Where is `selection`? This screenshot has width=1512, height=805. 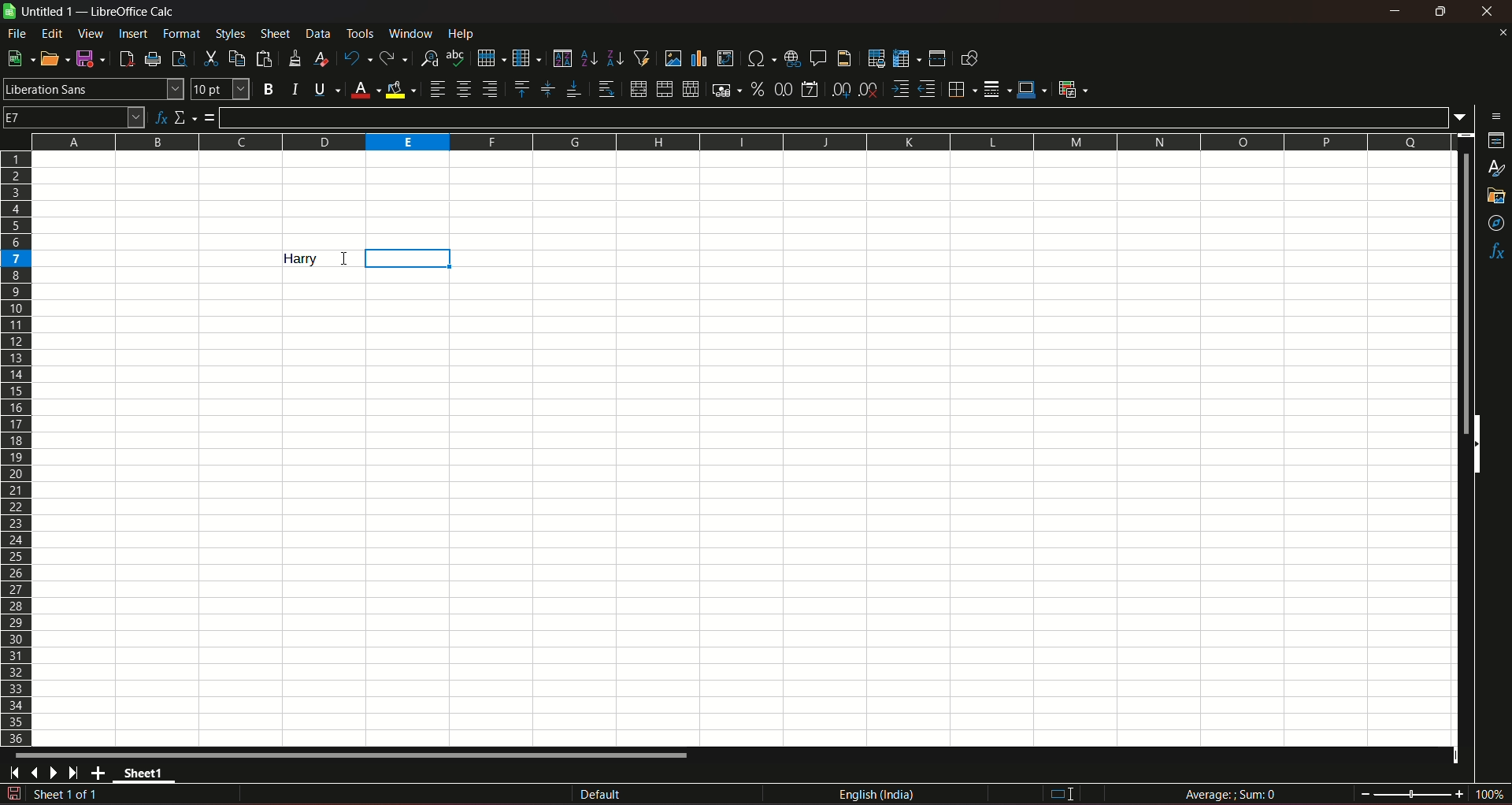
selection is located at coordinates (413, 258).